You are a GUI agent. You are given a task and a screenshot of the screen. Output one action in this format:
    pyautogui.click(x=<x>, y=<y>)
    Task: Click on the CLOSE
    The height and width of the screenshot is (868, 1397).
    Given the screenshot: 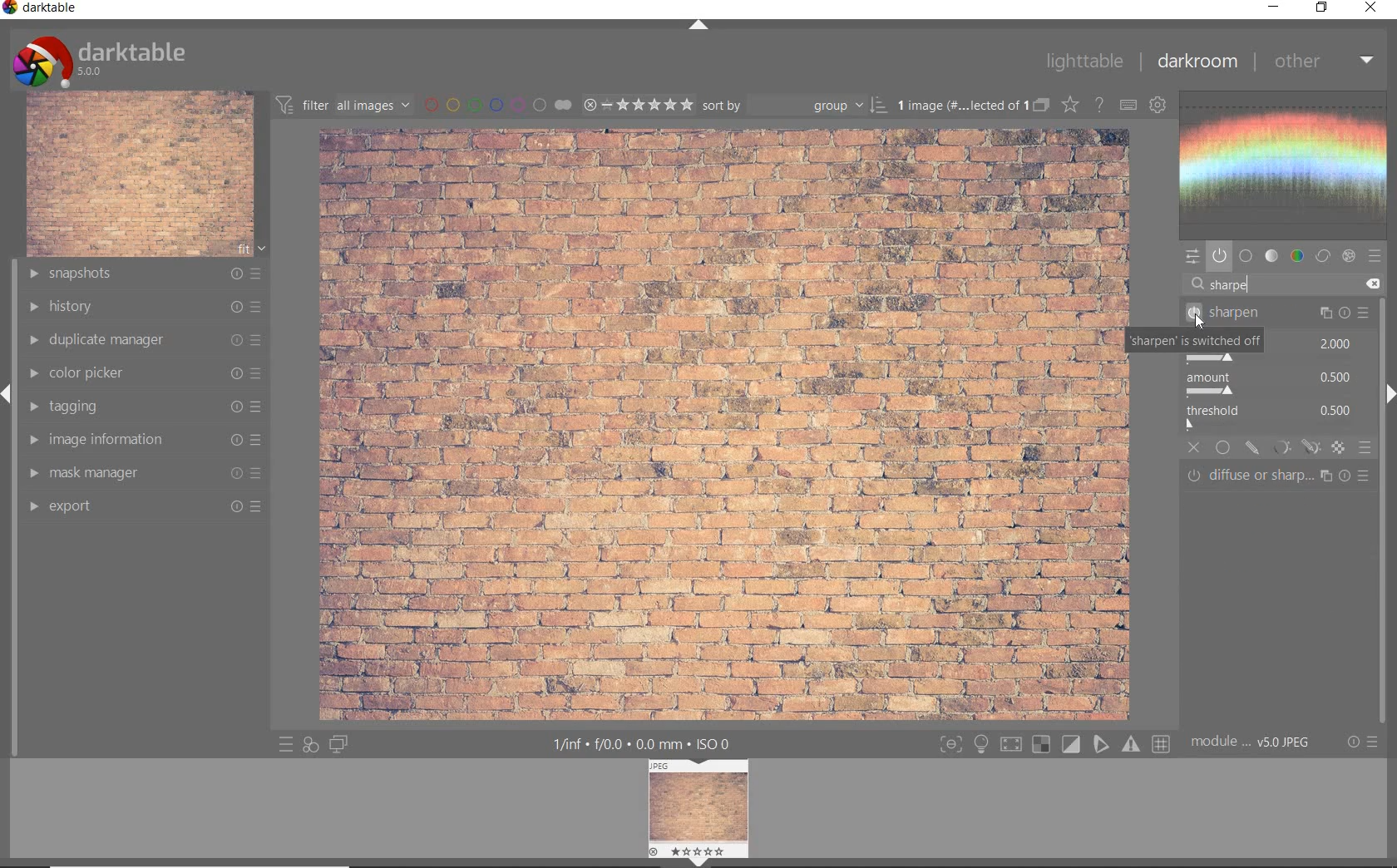 What is the action you would take?
    pyautogui.click(x=1195, y=448)
    